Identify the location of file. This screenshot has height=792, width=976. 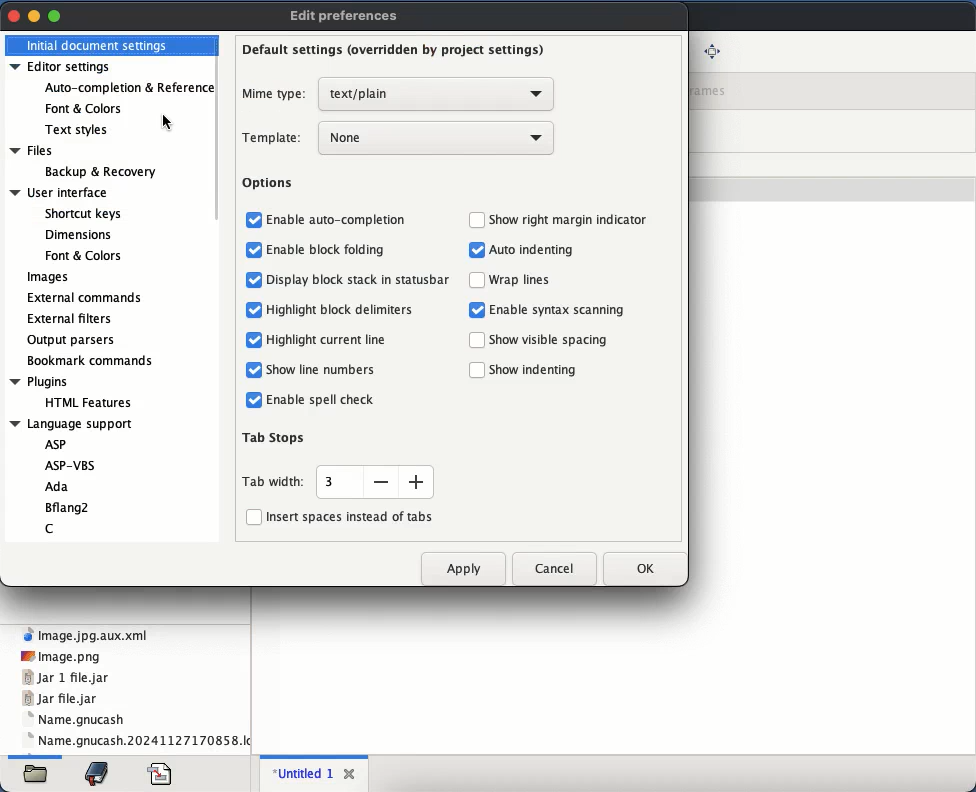
(37, 776).